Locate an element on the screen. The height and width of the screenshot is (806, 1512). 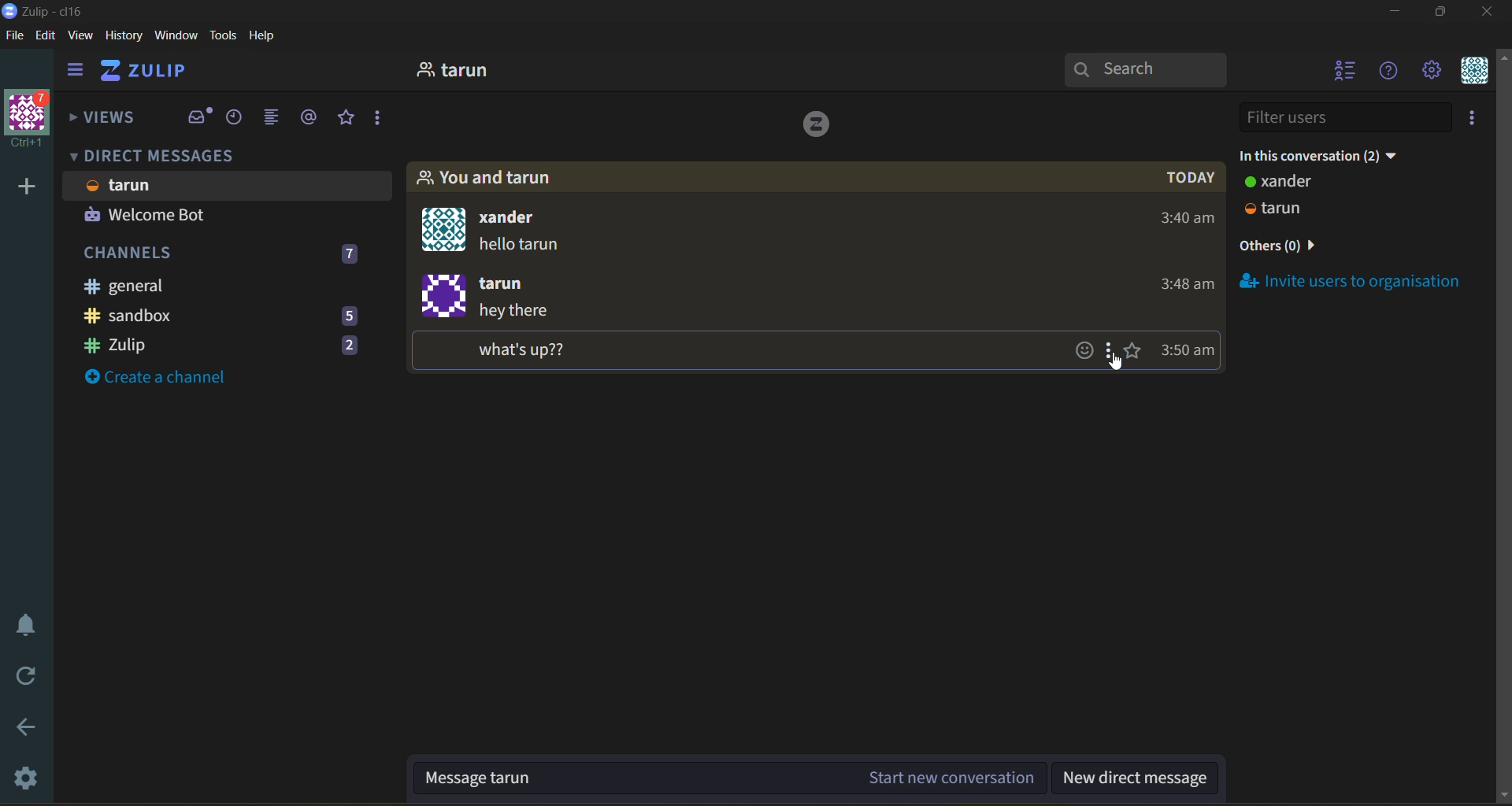
edit is located at coordinates (46, 38).